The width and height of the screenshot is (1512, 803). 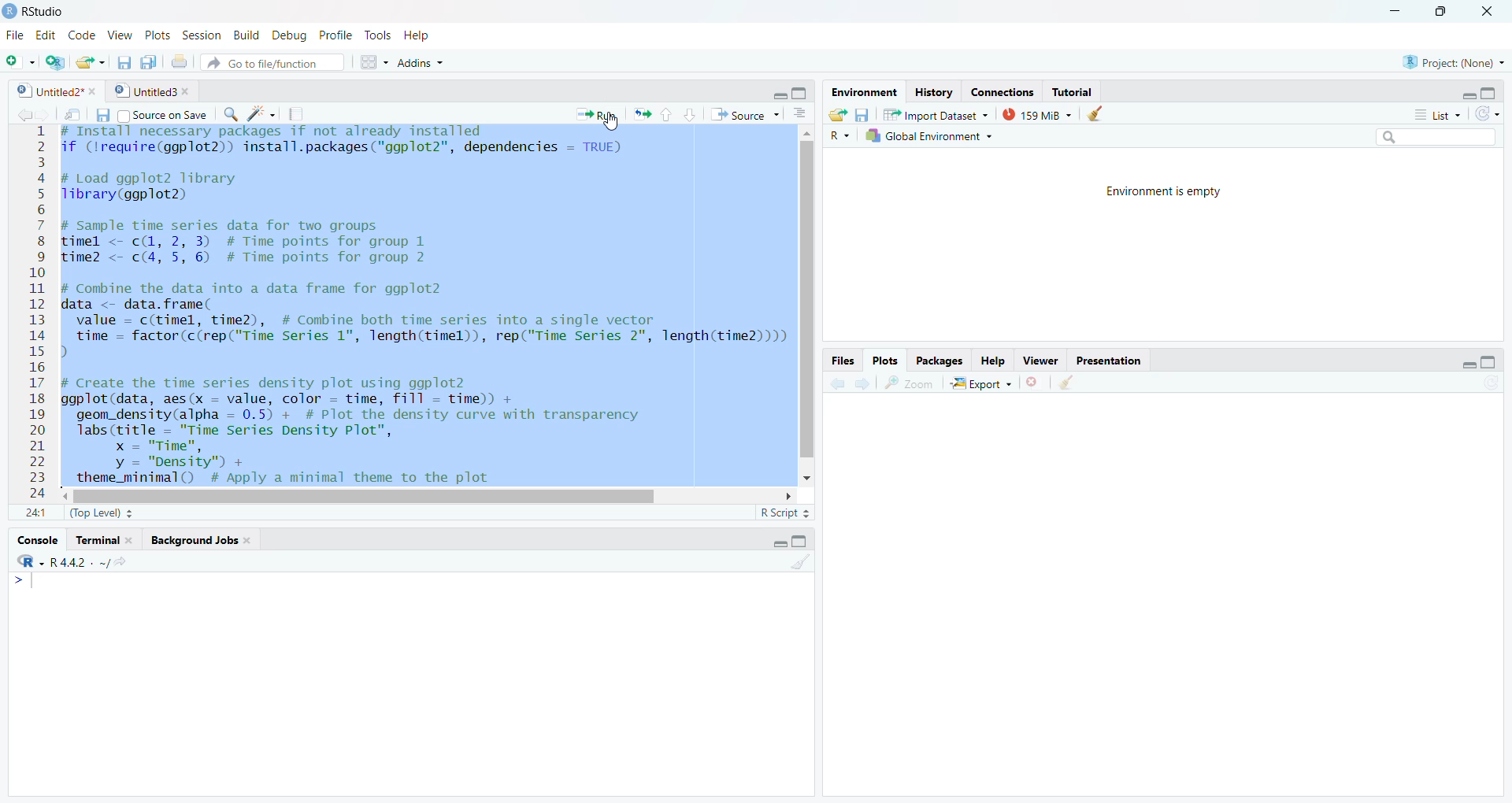 What do you see at coordinates (799, 113) in the screenshot?
I see `Document Outline` at bounding box center [799, 113].